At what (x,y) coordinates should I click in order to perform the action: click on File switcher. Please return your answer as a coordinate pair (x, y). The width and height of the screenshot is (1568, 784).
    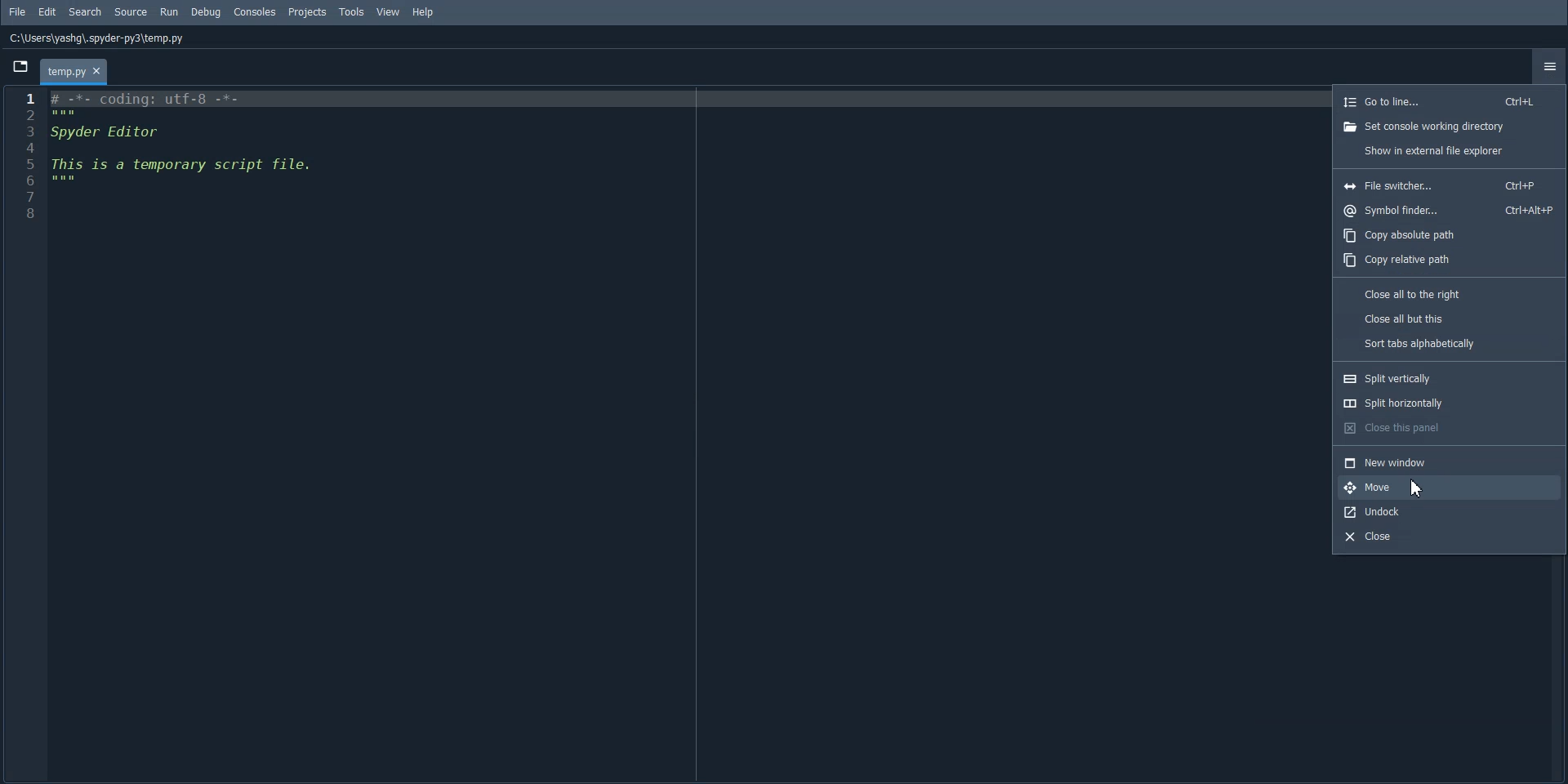
    Looking at the image, I should click on (1447, 185).